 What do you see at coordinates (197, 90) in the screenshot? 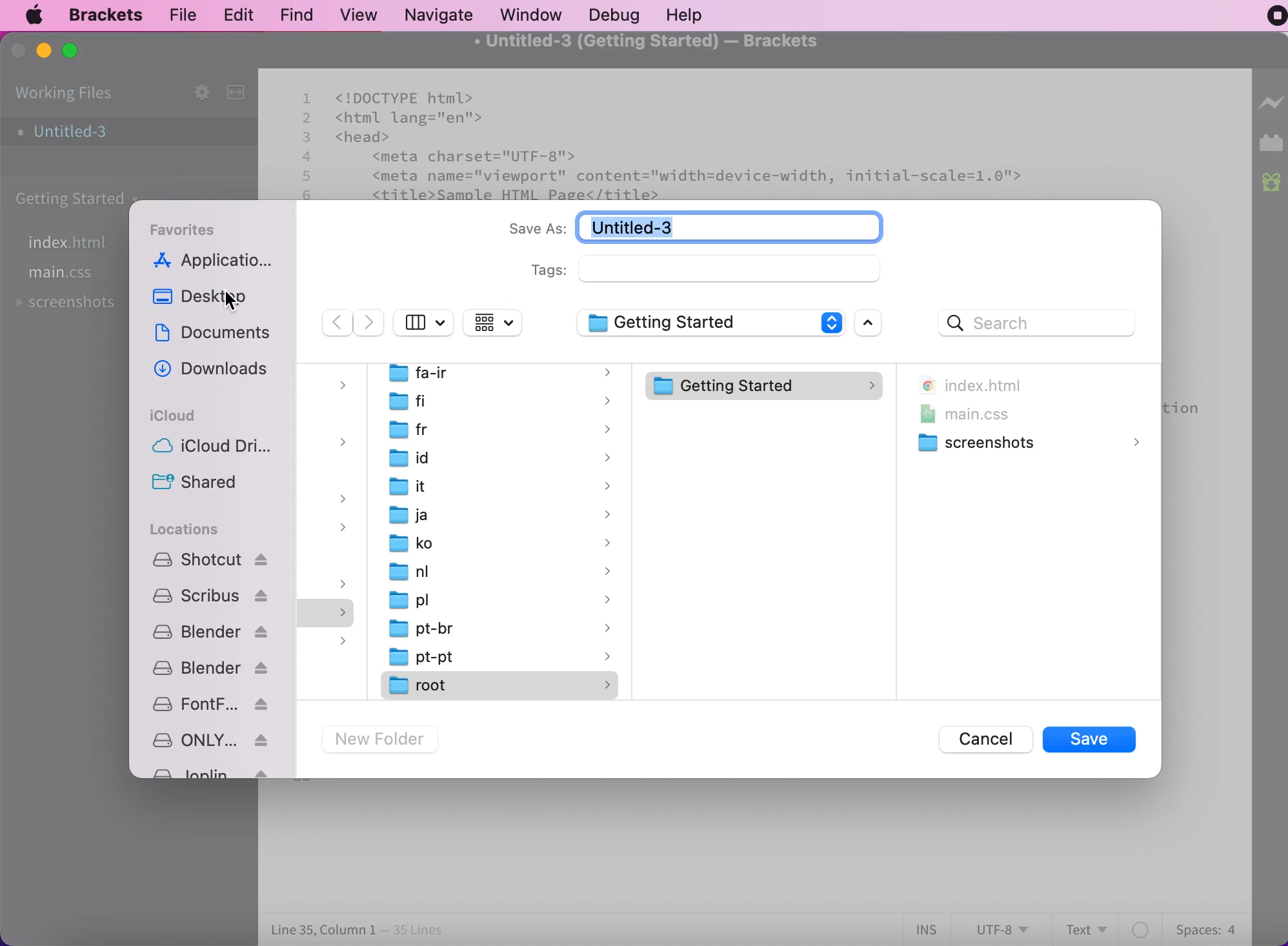
I see `configure working set` at bounding box center [197, 90].